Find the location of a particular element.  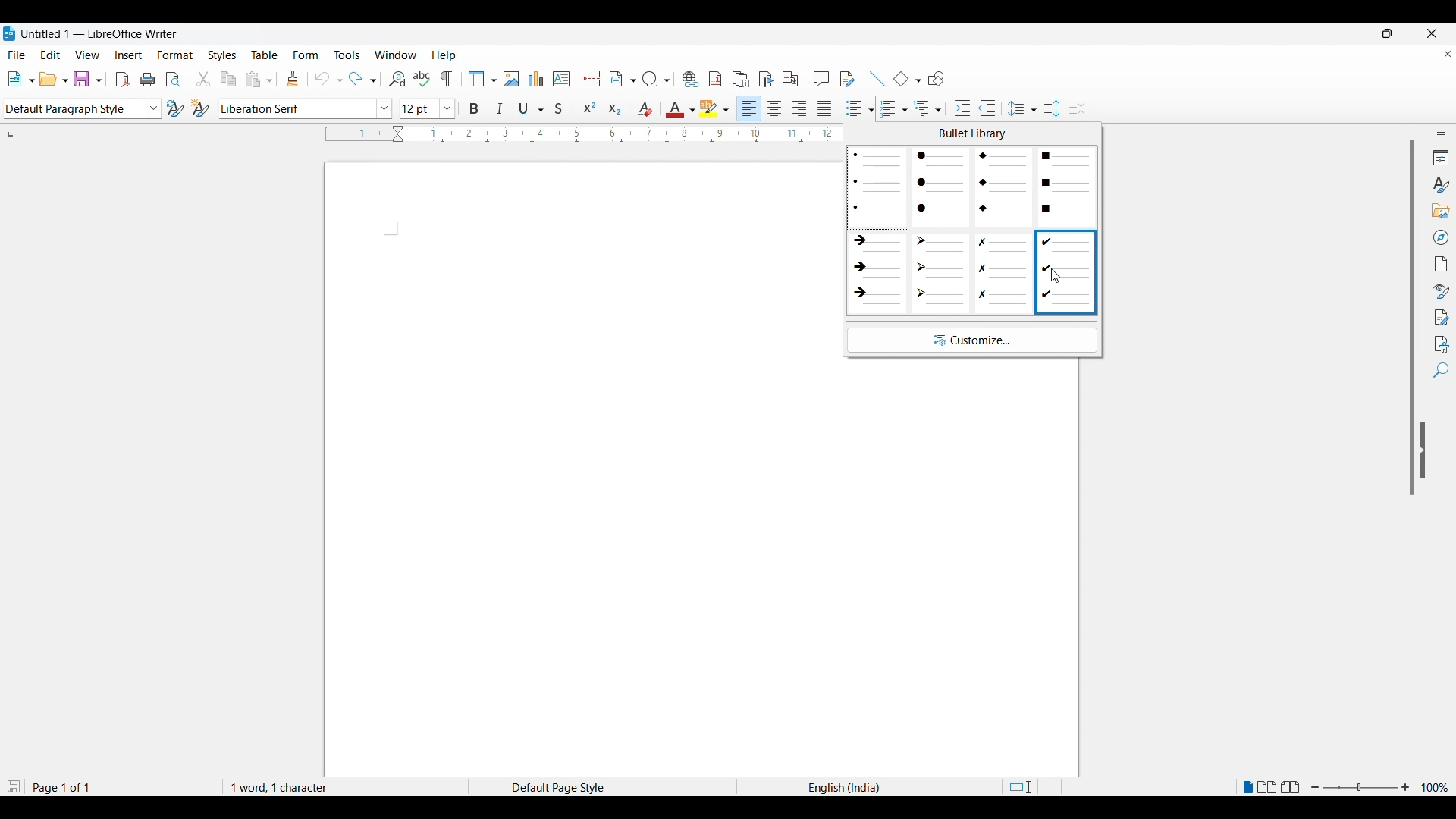

insert endnote is located at coordinates (740, 78).